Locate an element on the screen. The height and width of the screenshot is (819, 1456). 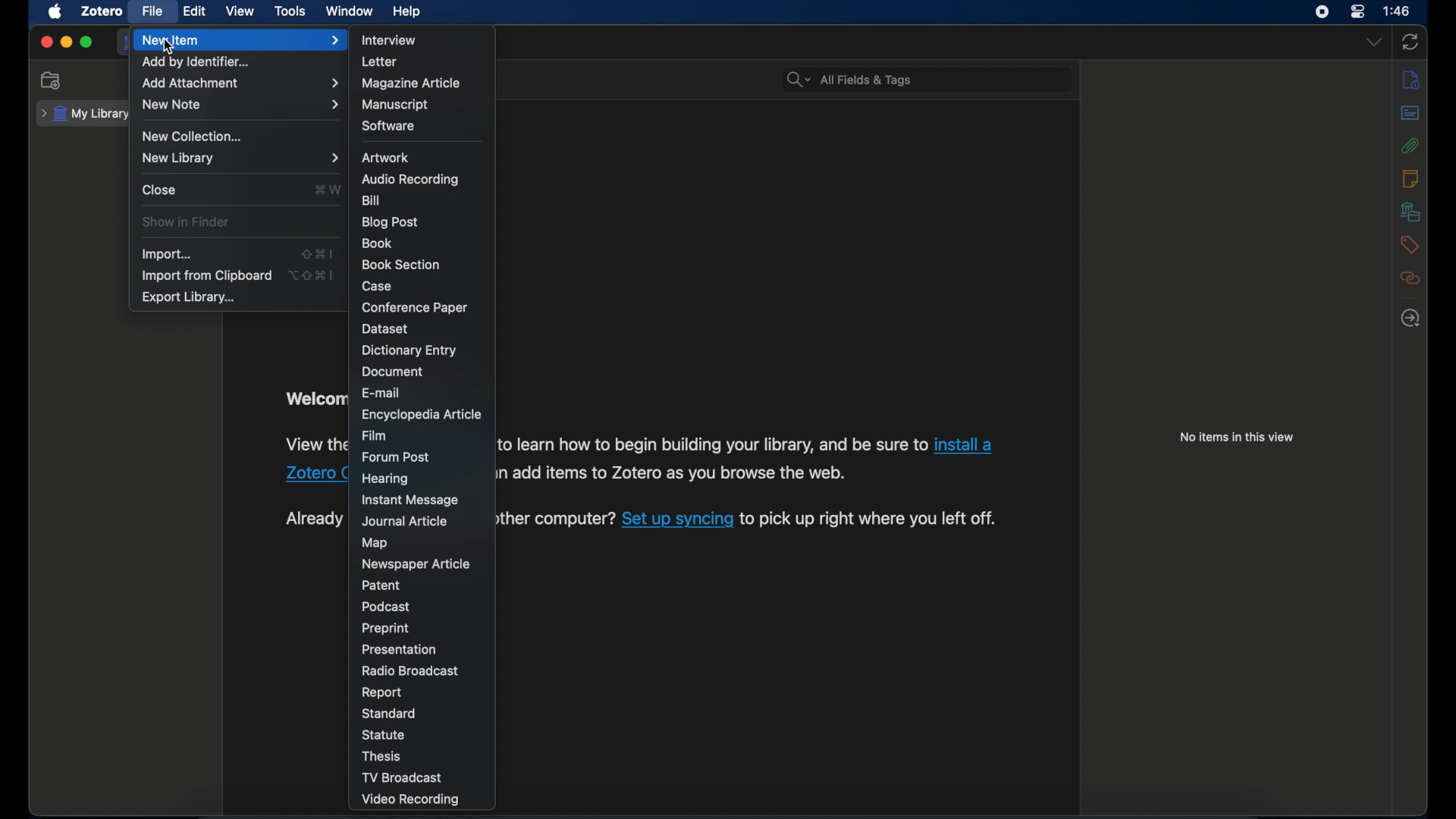
presentation is located at coordinates (400, 649).